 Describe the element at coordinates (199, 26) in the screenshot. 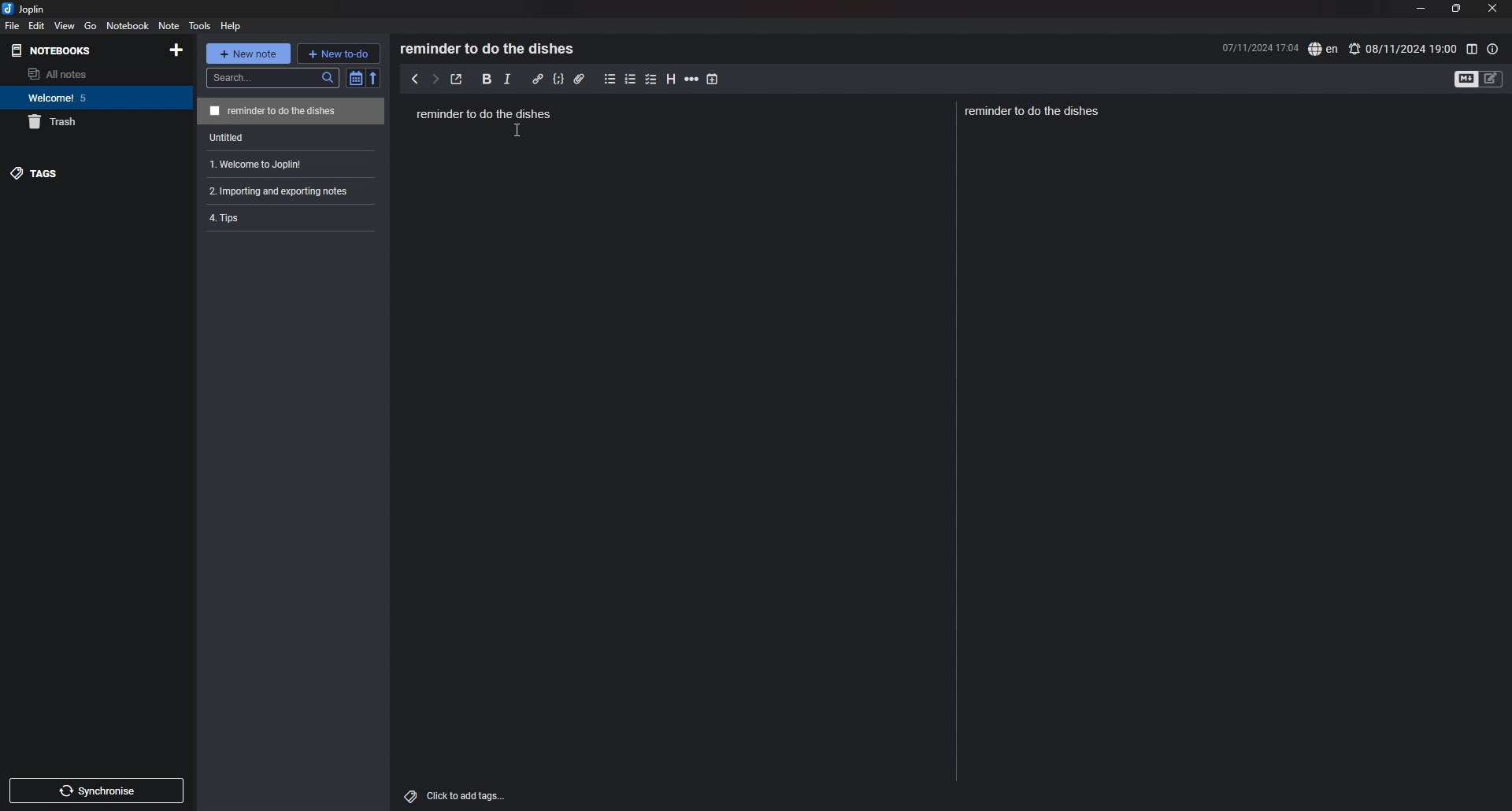

I see `tools` at that location.